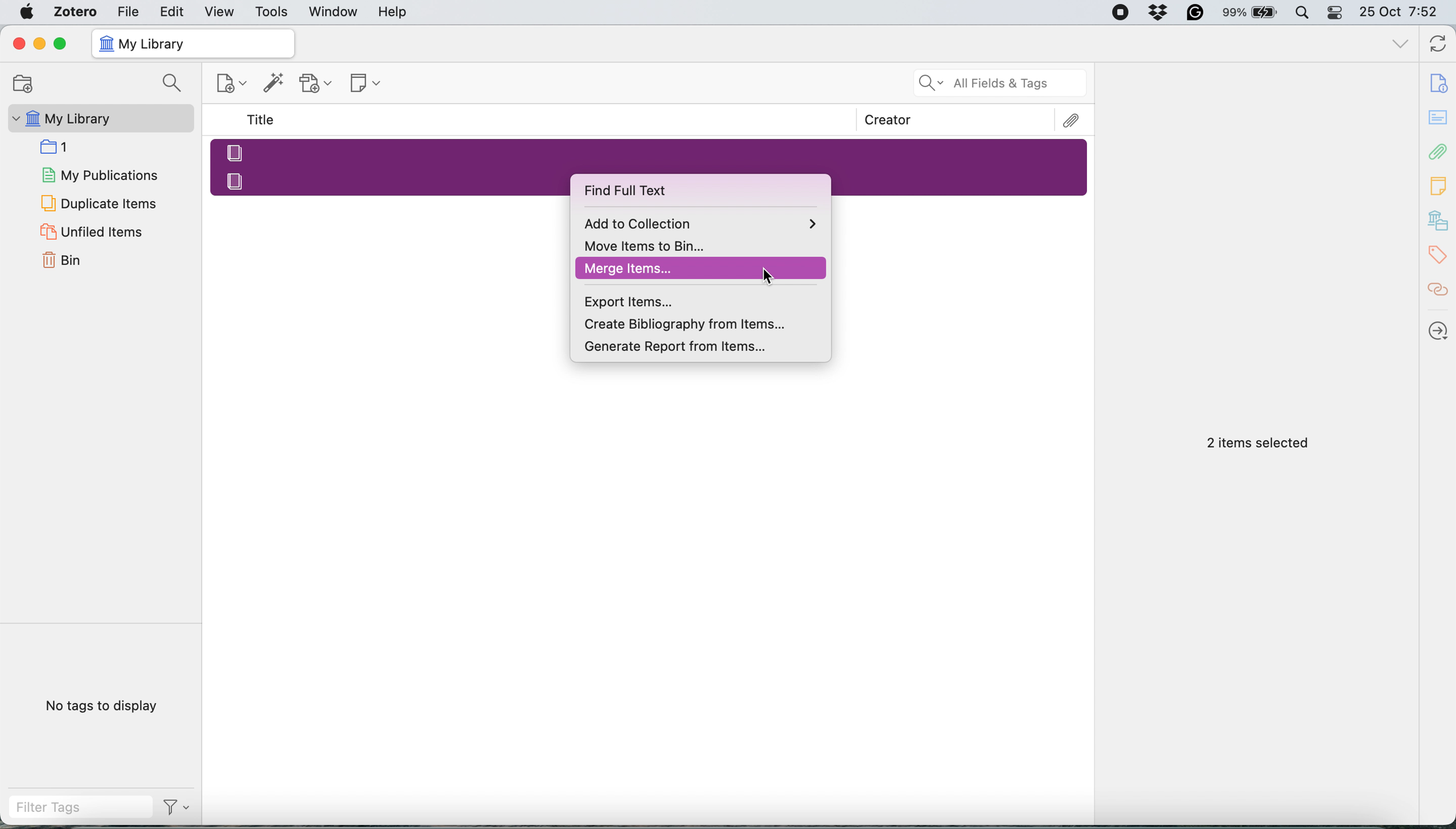 Image resolution: width=1456 pixels, height=829 pixels. Describe the element at coordinates (1439, 118) in the screenshot. I see `notes` at that location.